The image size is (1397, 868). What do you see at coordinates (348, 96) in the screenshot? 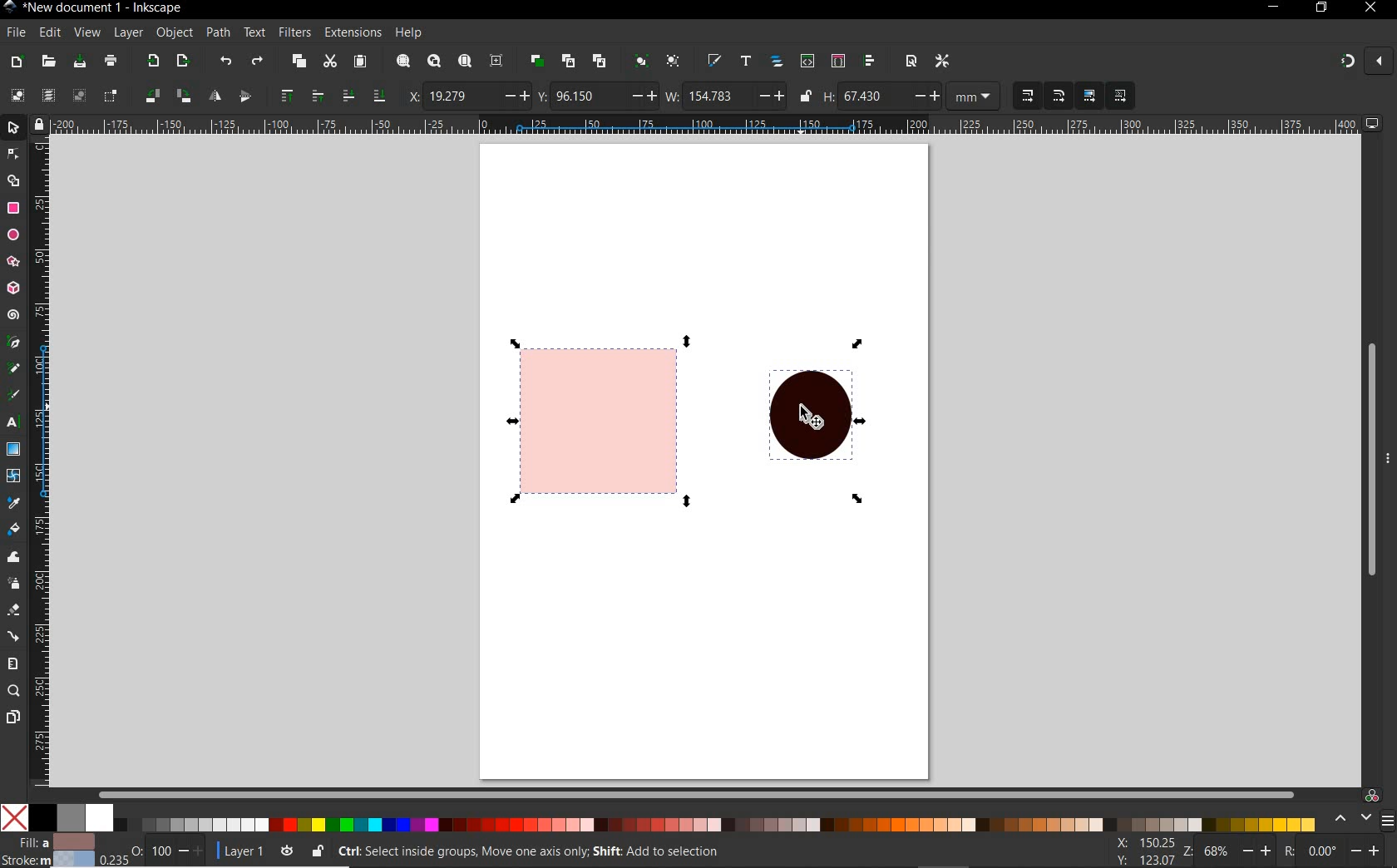
I see `lower` at bounding box center [348, 96].